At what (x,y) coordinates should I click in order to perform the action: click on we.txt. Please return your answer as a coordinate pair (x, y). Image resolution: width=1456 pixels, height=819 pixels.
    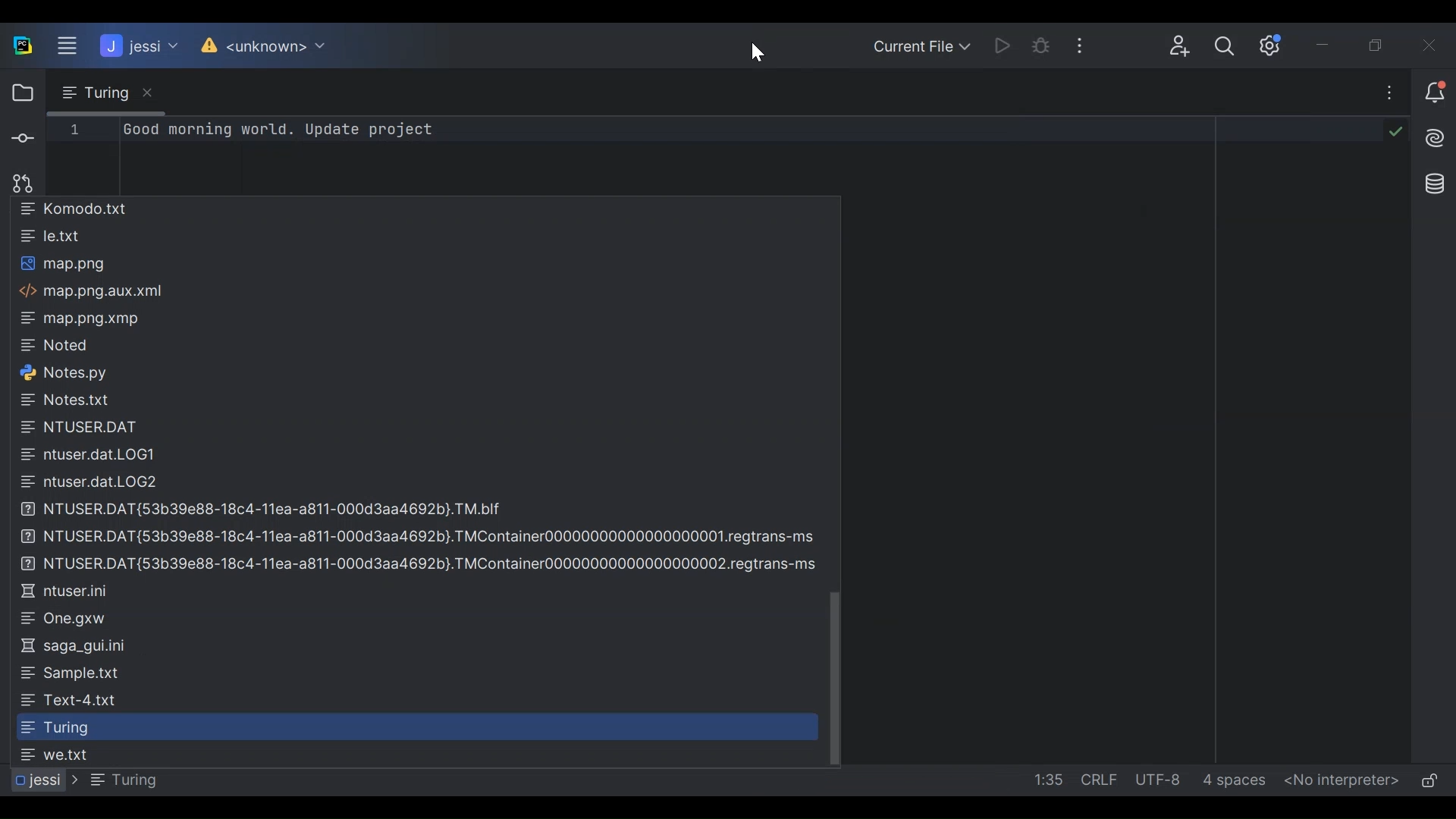
    Looking at the image, I should click on (57, 755).